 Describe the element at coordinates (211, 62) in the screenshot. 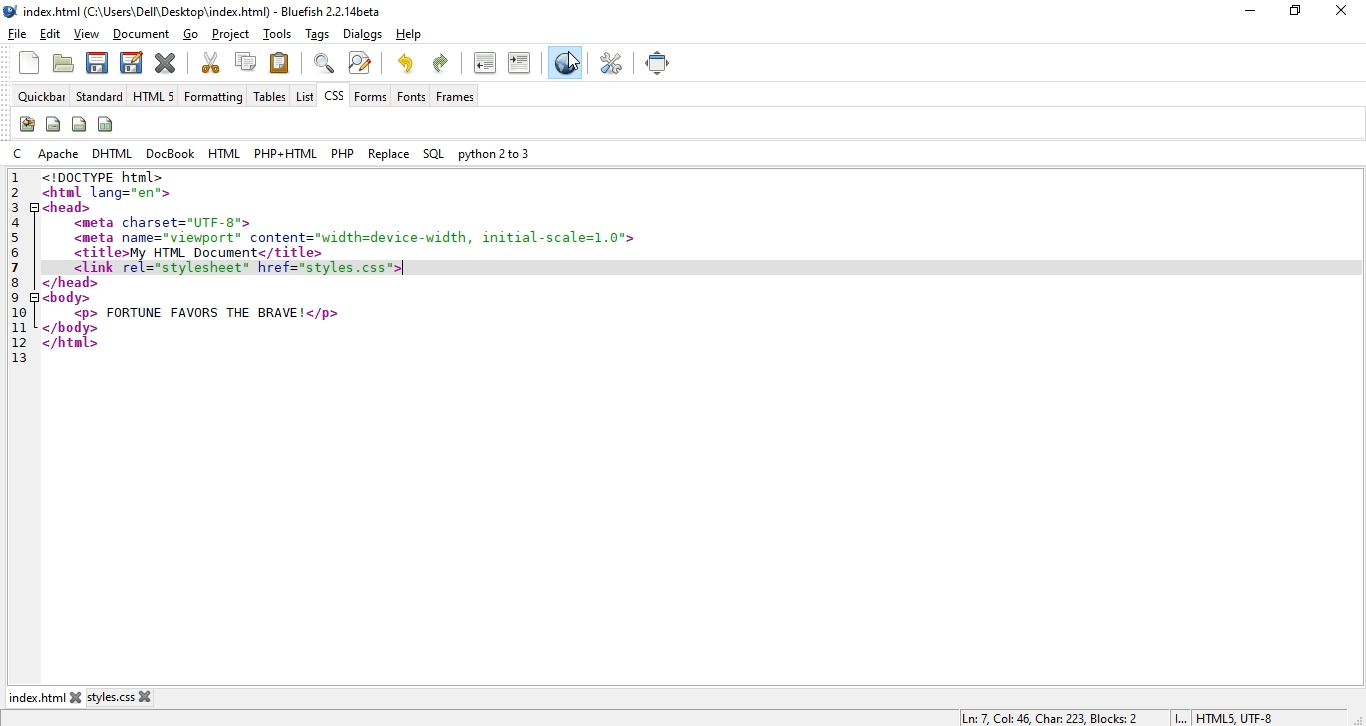

I see `cut` at that location.